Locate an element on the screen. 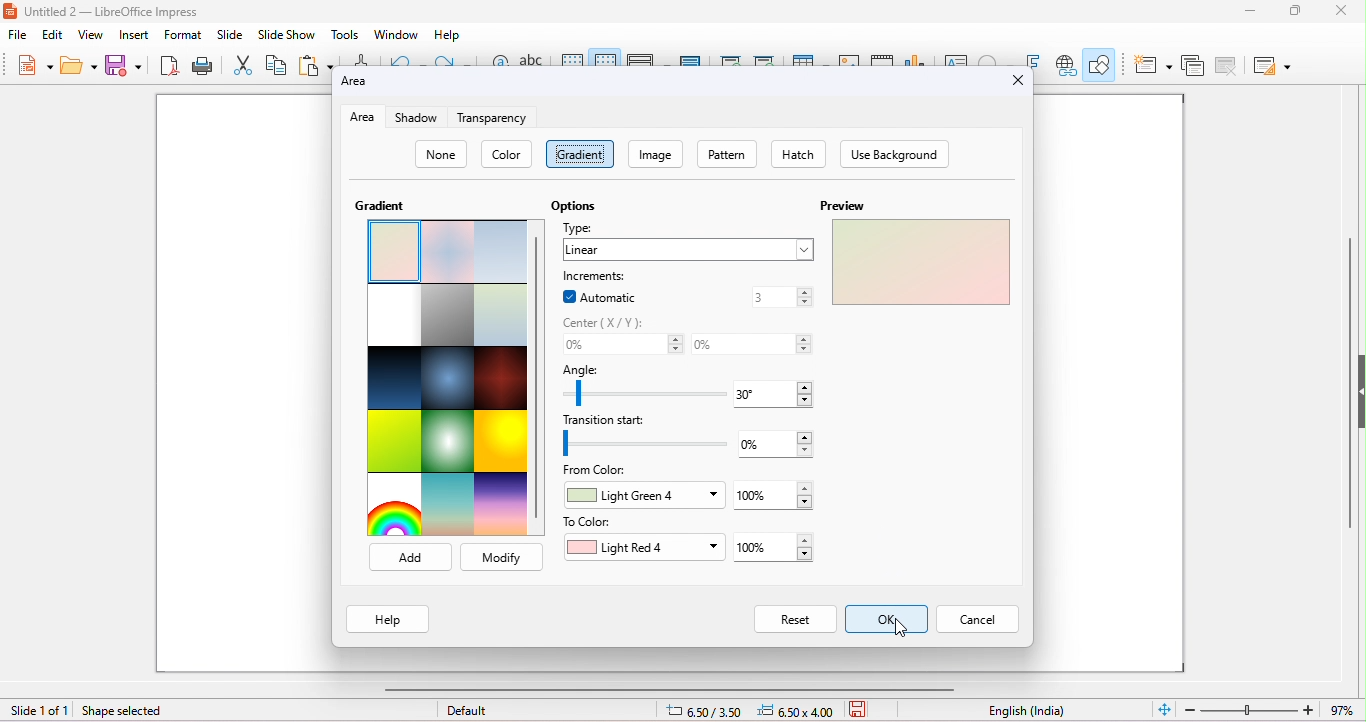 This screenshot has width=1366, height=722. from color selection is located at coordinates (644, 496).